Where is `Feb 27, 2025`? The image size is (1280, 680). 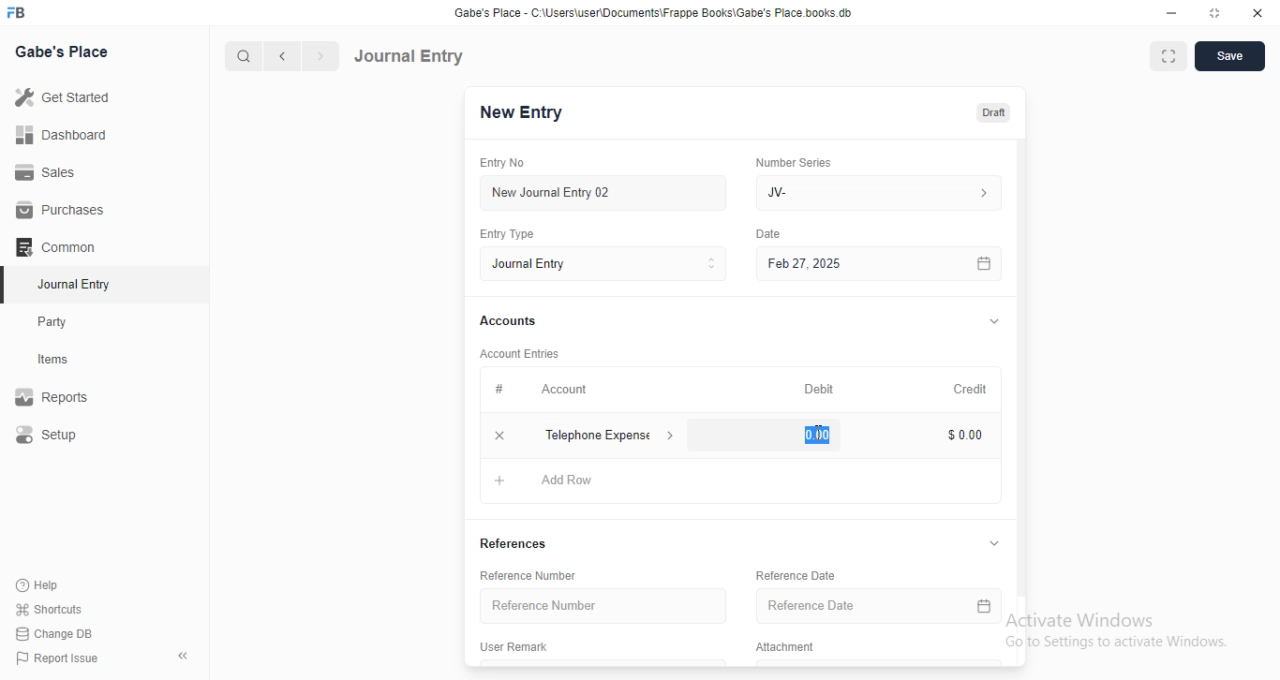
Feb 27, 2025 is located at coordinates (883, 264).